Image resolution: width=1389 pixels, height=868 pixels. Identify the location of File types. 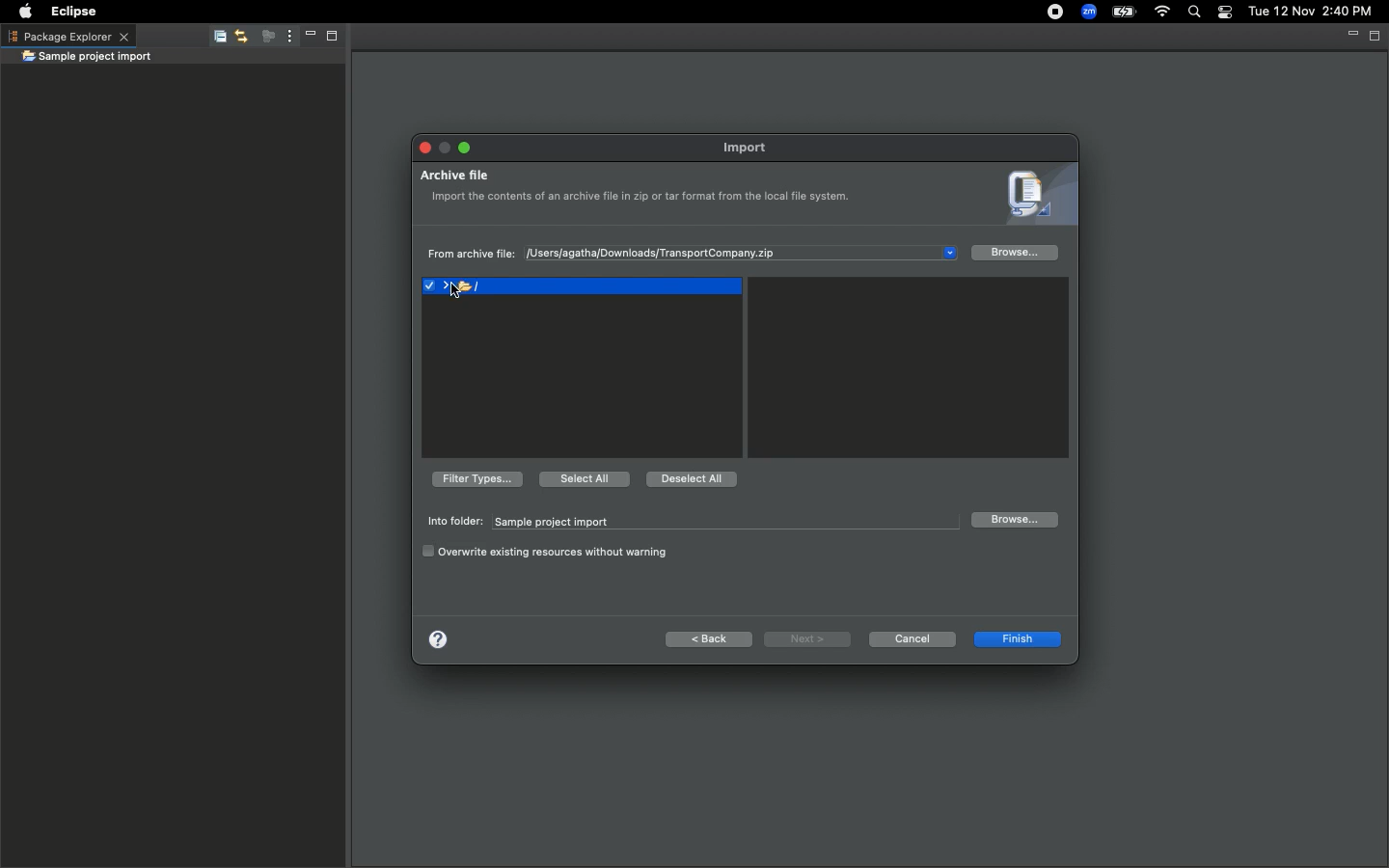
(475, 478).